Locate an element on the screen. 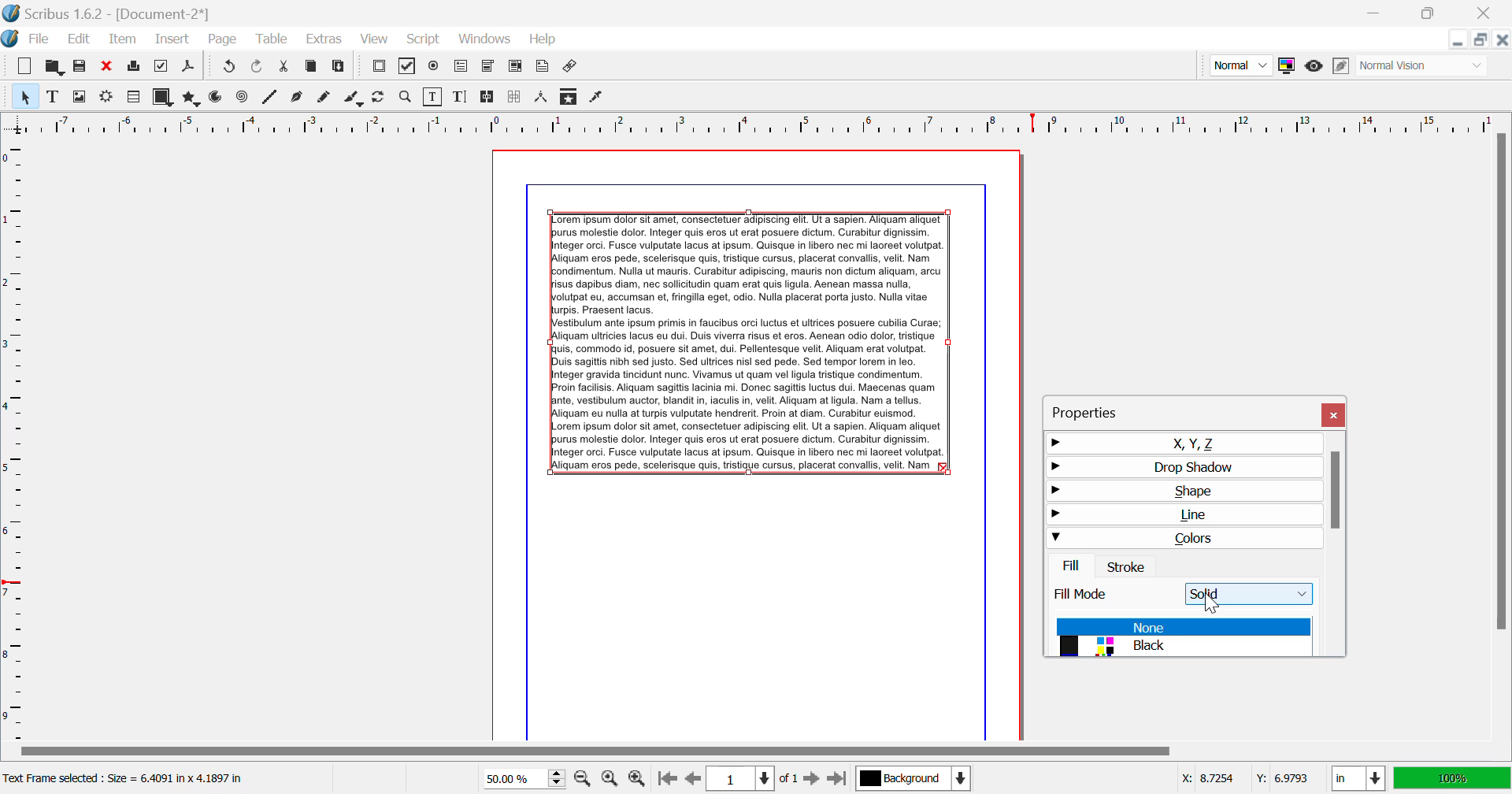  Text Frame is located at coordinates (53, 96).